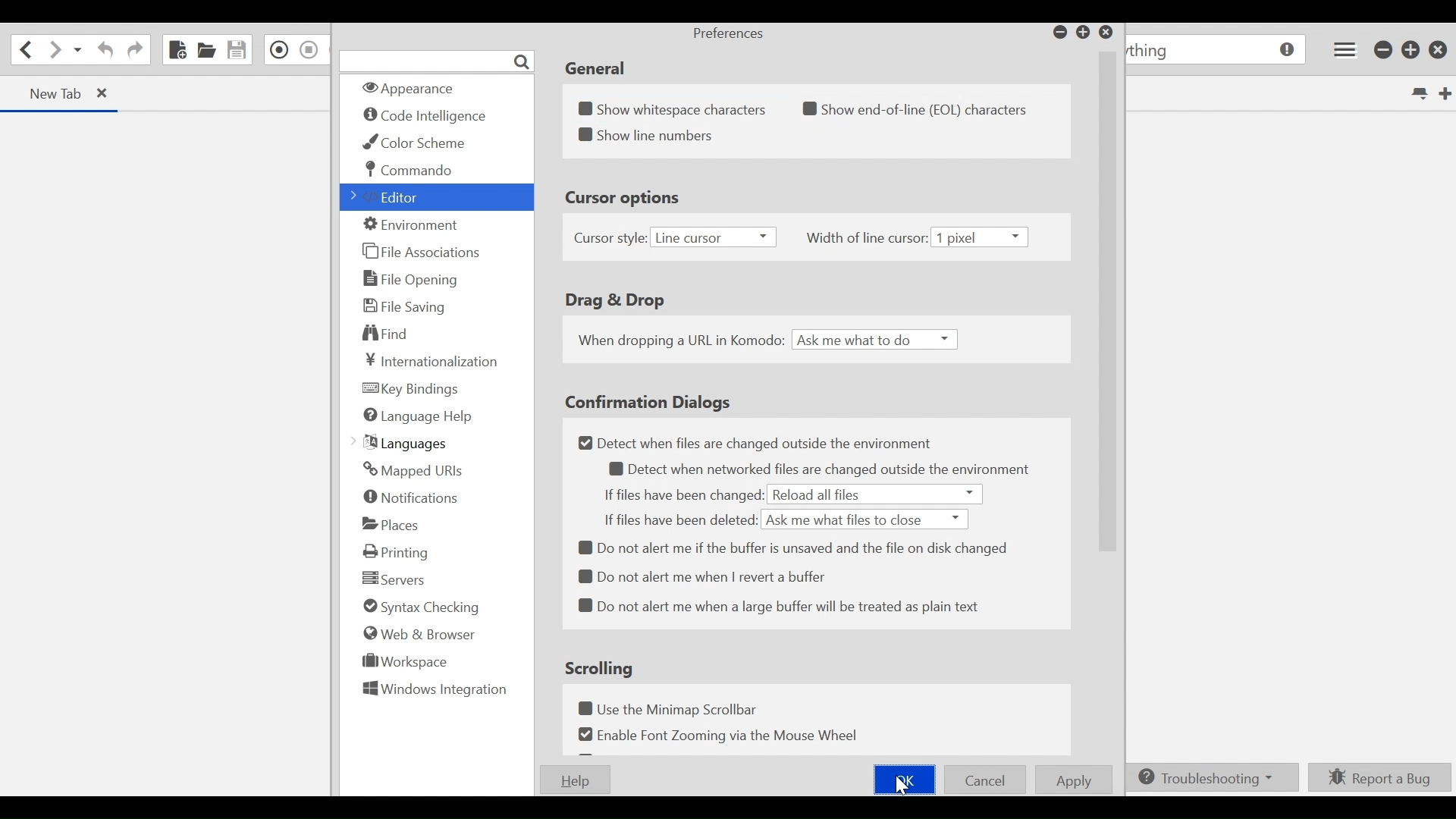 Image resolution: width=1456 pixels, height=819 pixels. Describe the element at coordinates (594, 69) in the screenshot. I see `General` at that location.